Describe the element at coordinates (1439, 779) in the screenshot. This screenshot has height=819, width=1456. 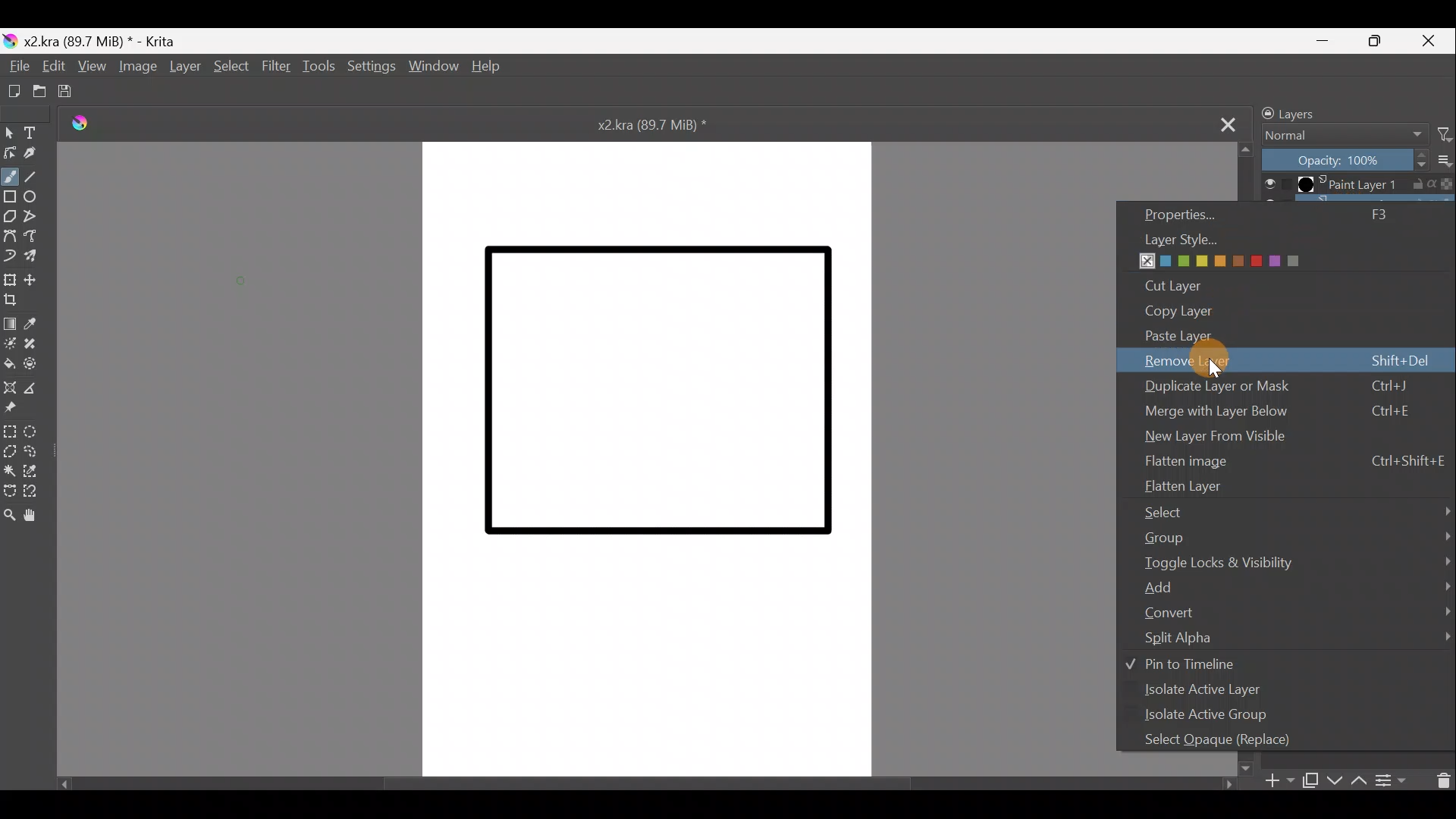
I see `Delete layer/mask` at that location.